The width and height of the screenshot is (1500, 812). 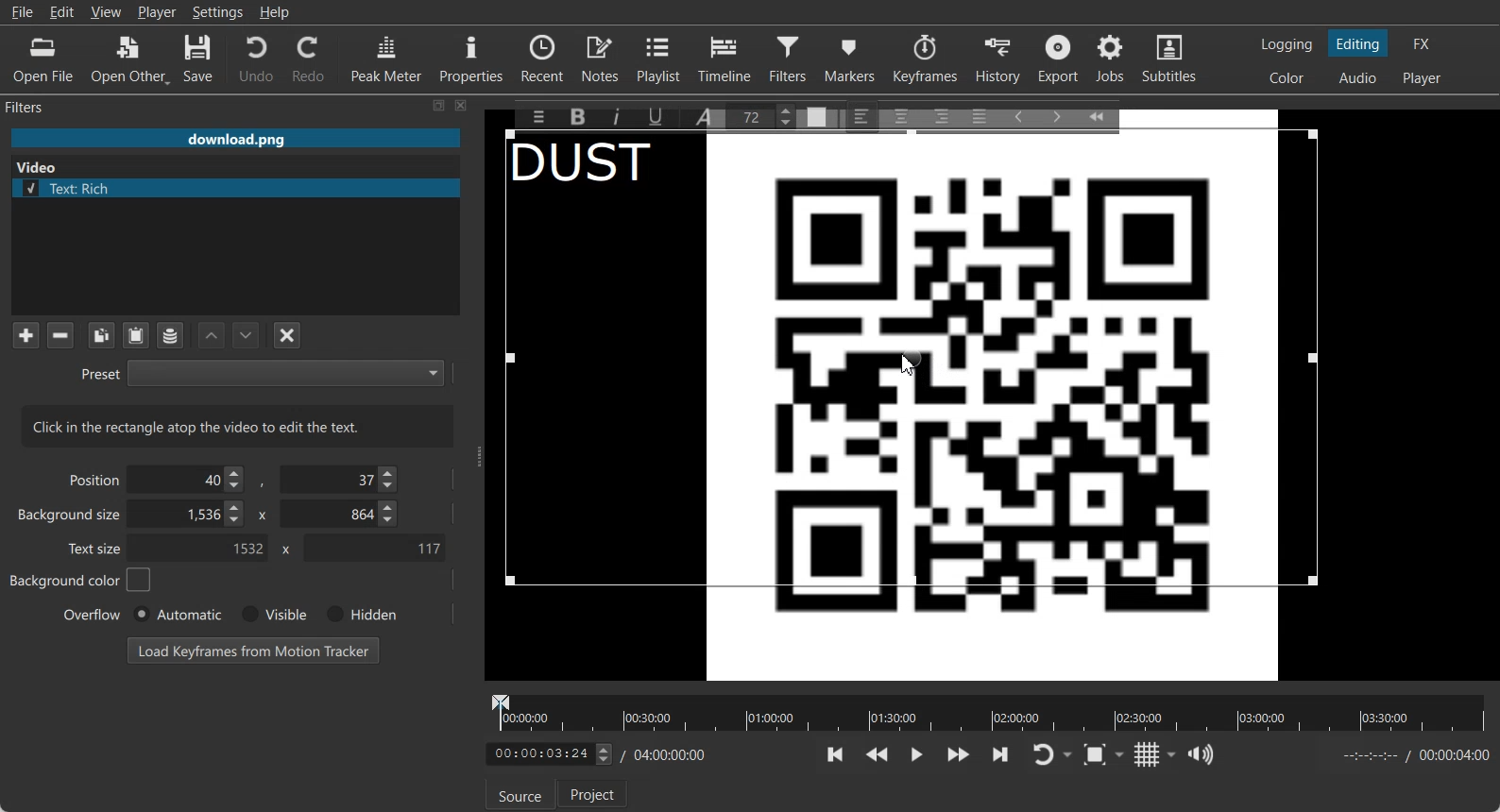 What do you see at coordinates (260, 514) in the screenshot?
I see `x` at bounding box center [260, 514].